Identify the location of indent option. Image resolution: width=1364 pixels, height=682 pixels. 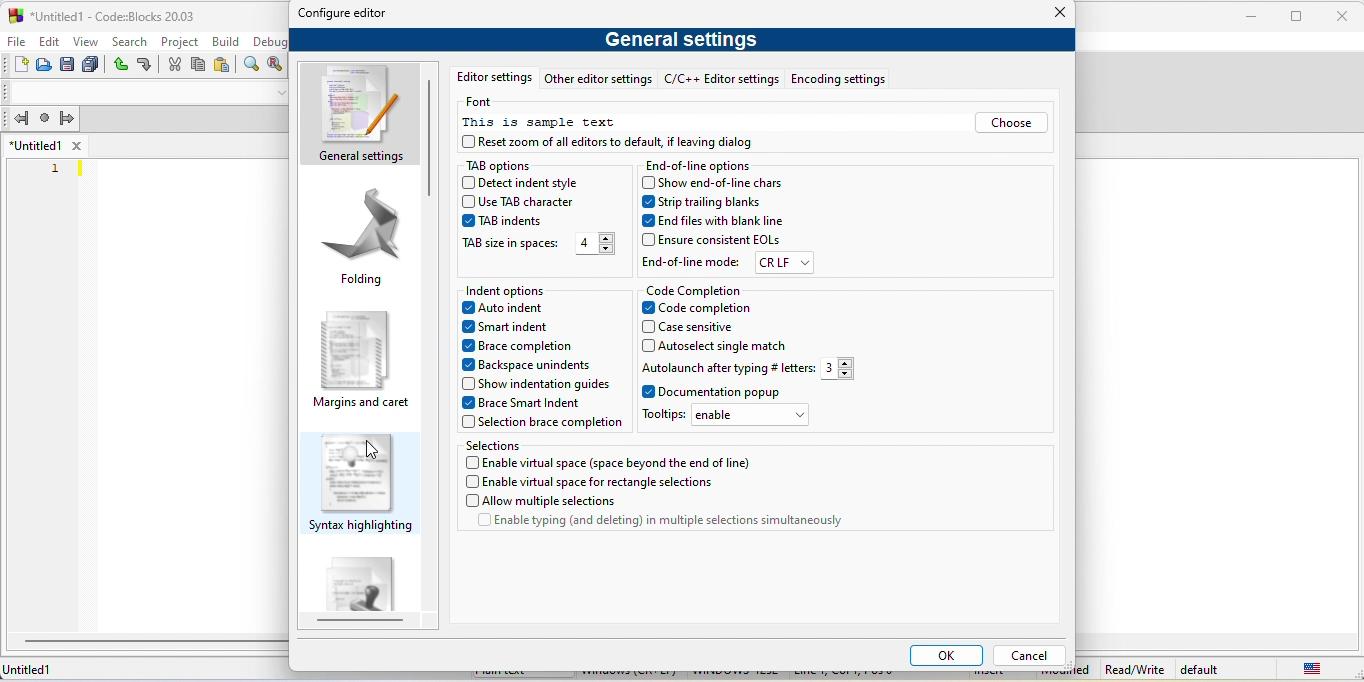
(509, 290).